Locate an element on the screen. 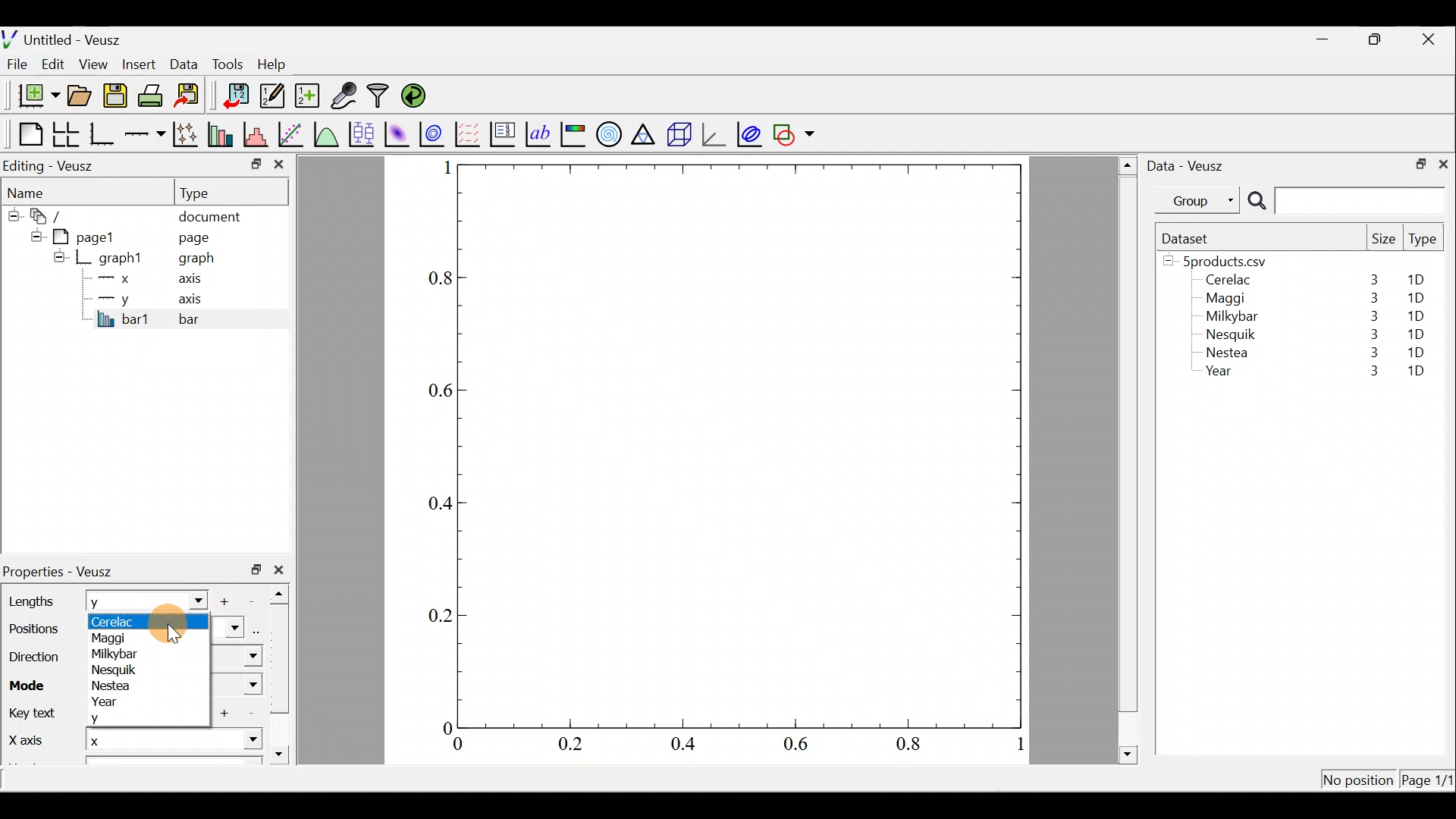 This screenshot has width=1456, height=819. graph plot area is located at coordinates (741, 444).